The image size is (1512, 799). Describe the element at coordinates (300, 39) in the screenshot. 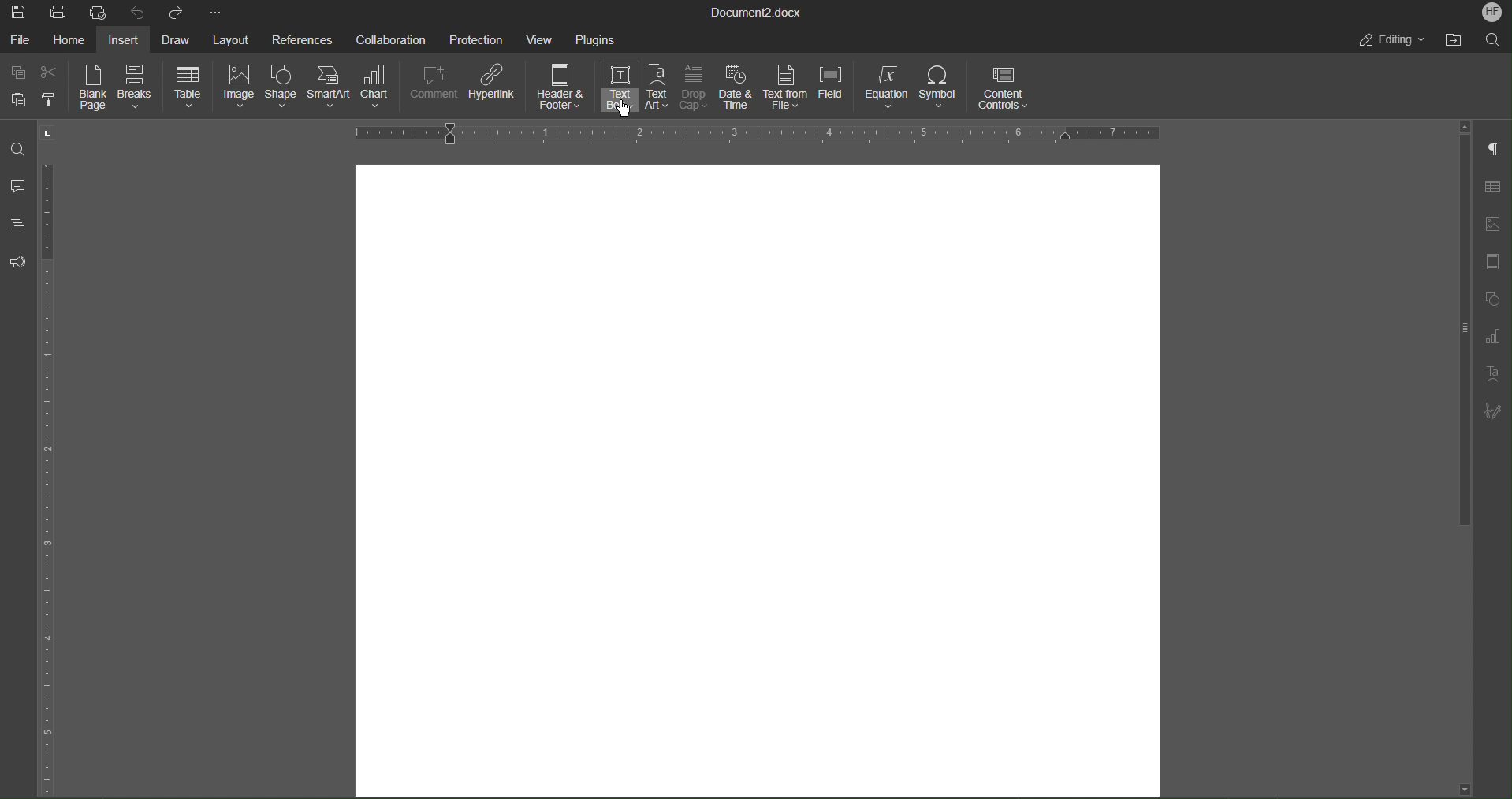

I see `References` at that location.